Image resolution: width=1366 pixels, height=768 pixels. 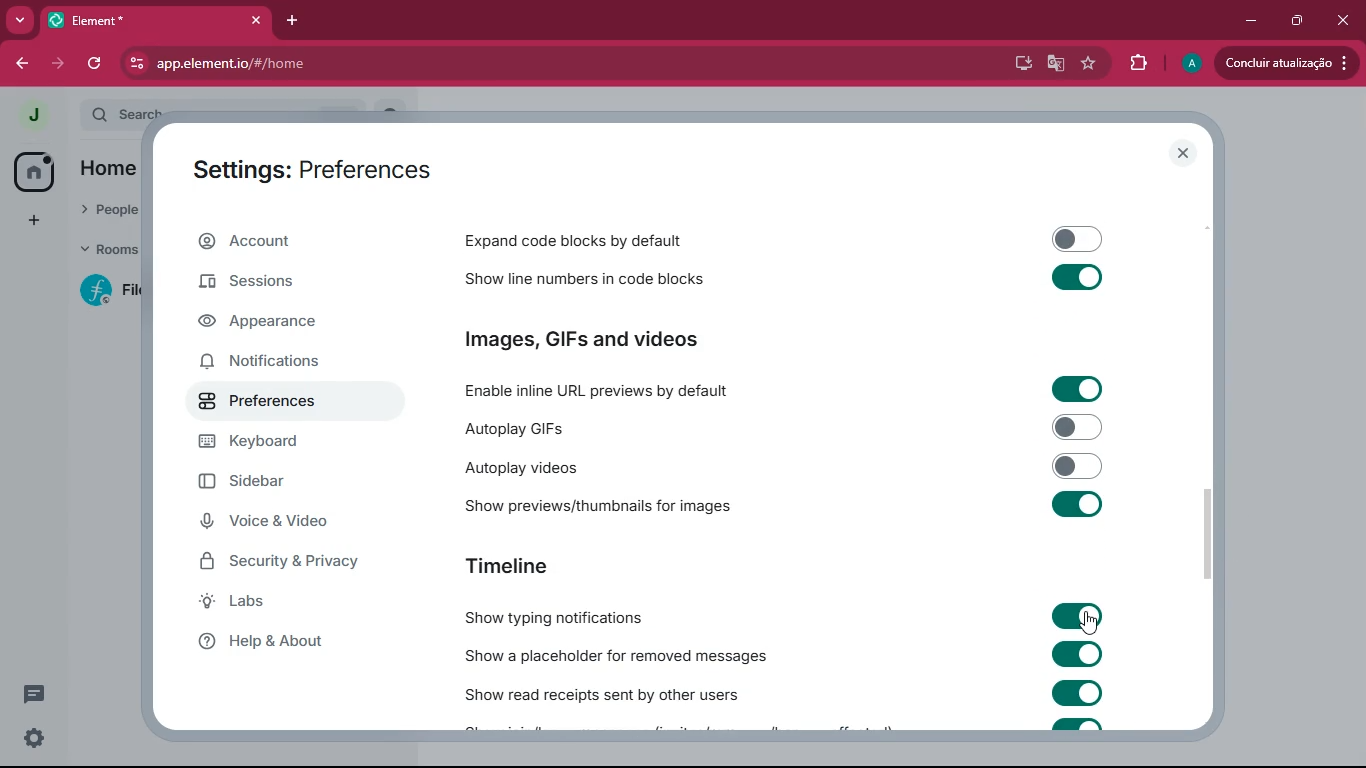 I want to click on appearance, so click(x=271, y=326).